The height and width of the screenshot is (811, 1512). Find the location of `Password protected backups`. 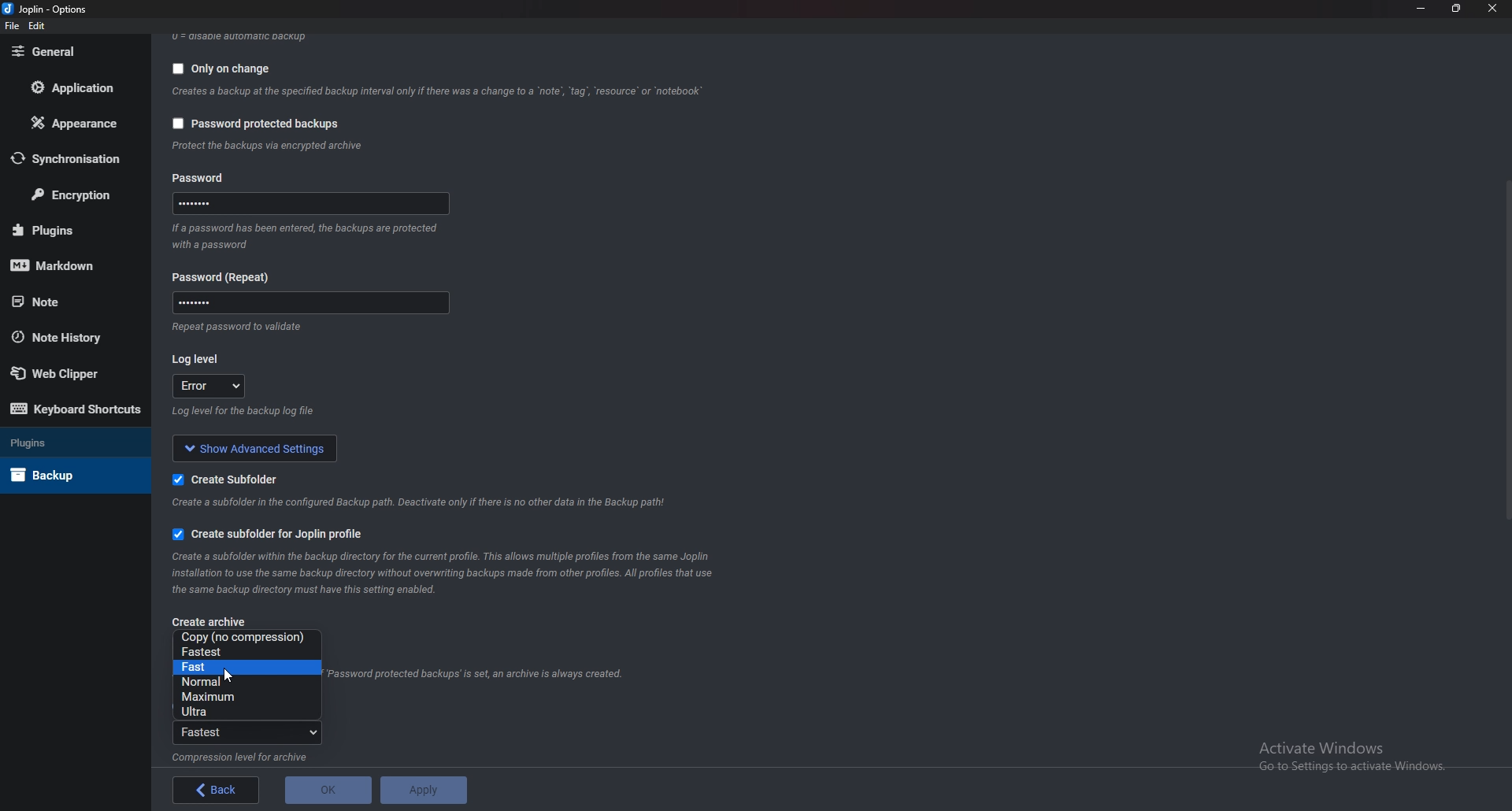

Password protected backups is located at coordinates (258, 125).